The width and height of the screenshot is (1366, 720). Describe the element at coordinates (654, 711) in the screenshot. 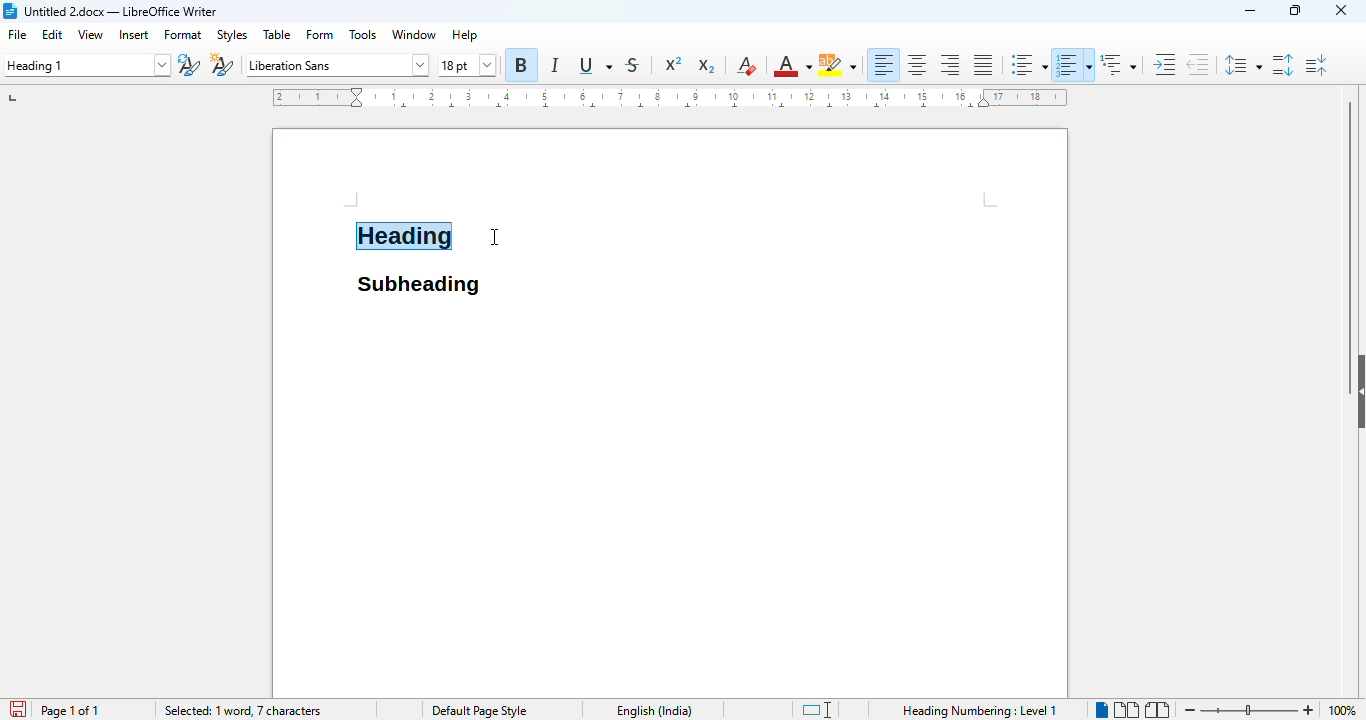

I see `text language` at that location.